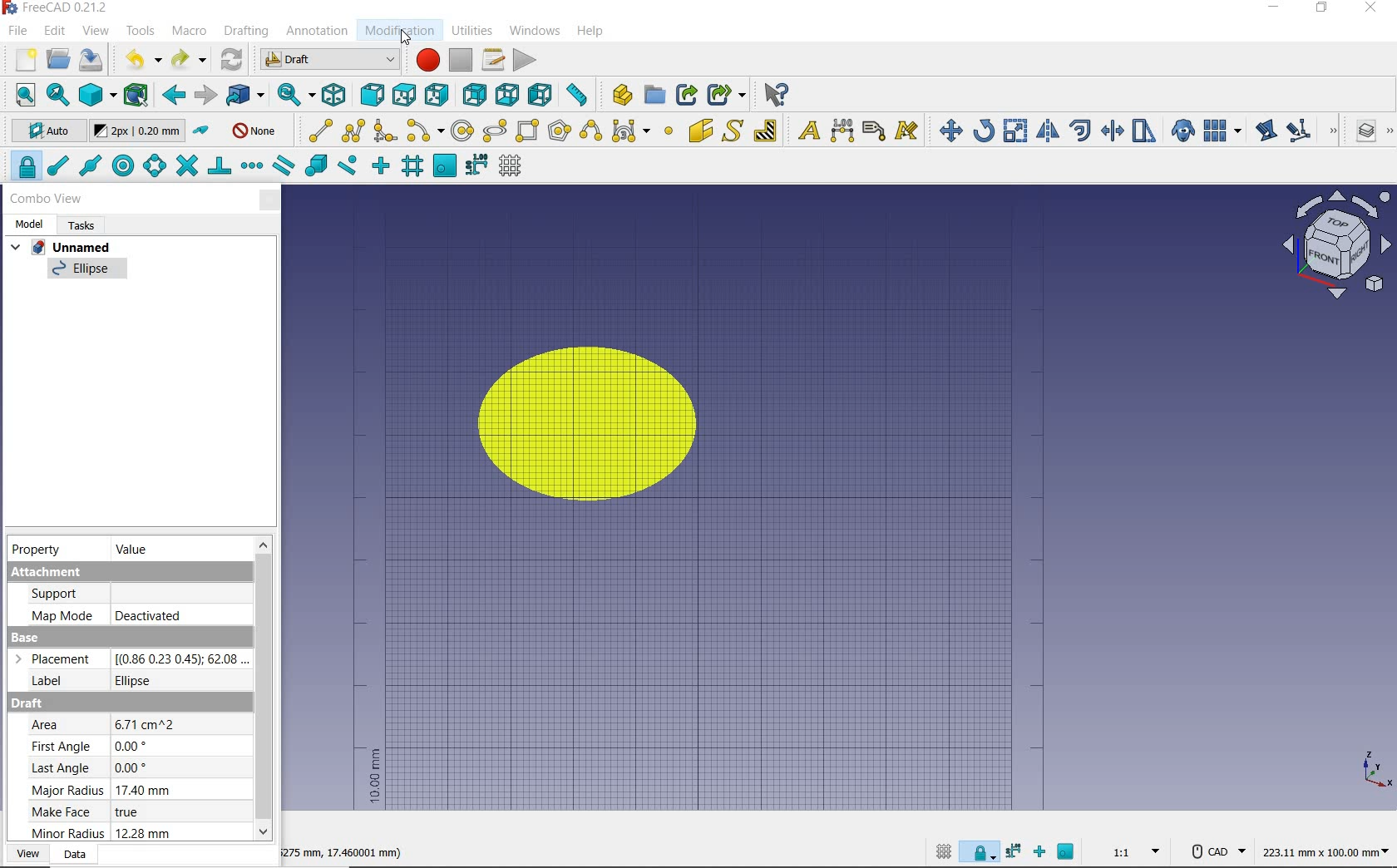 The height and width of the screenshot is (868, 1397). Describe the element at coordinates (669, 131) in the screenshot. I see `point` at that location.